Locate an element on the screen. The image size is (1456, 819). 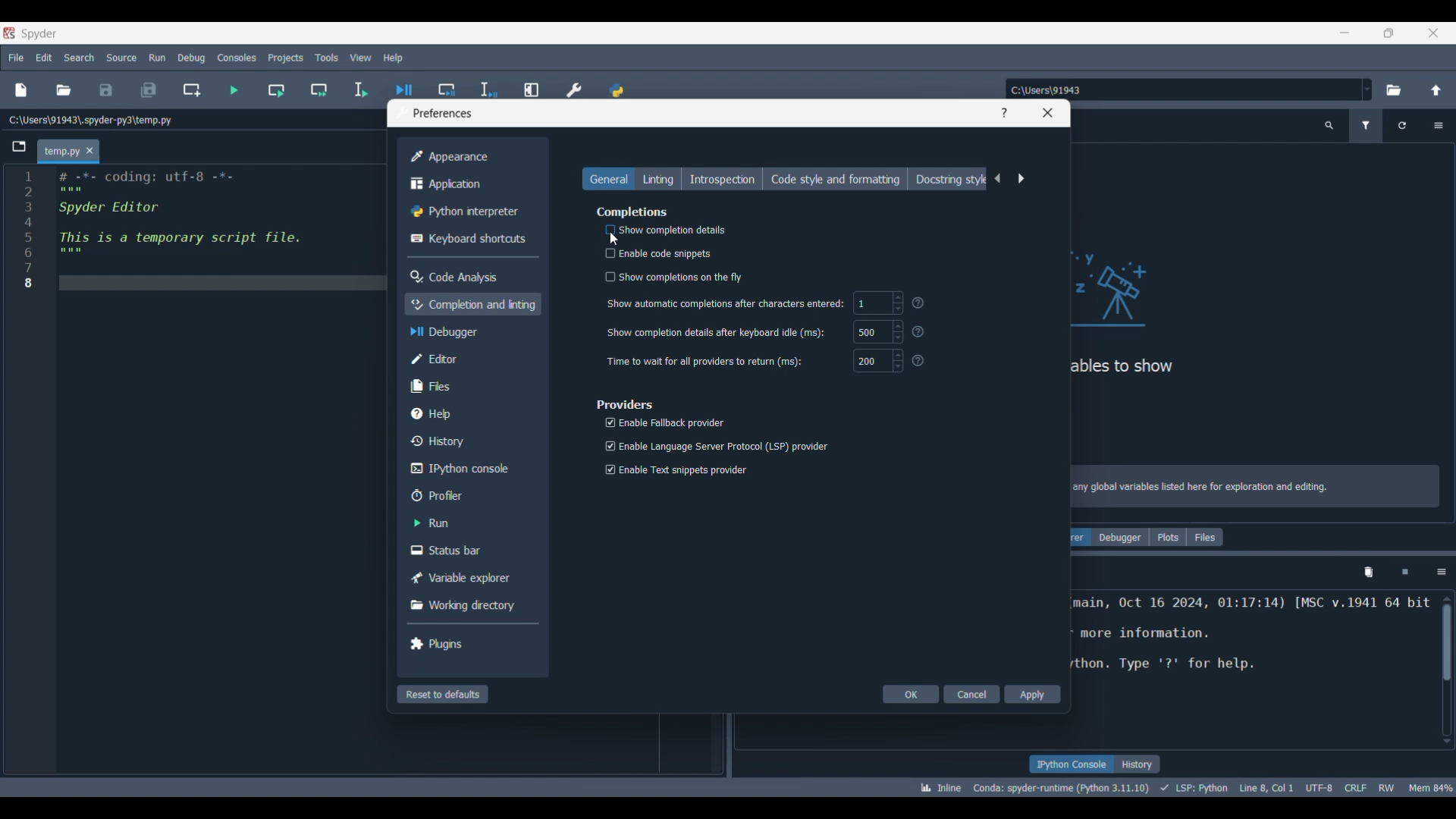
Code style and formatting is located at coordinates (835, 179).